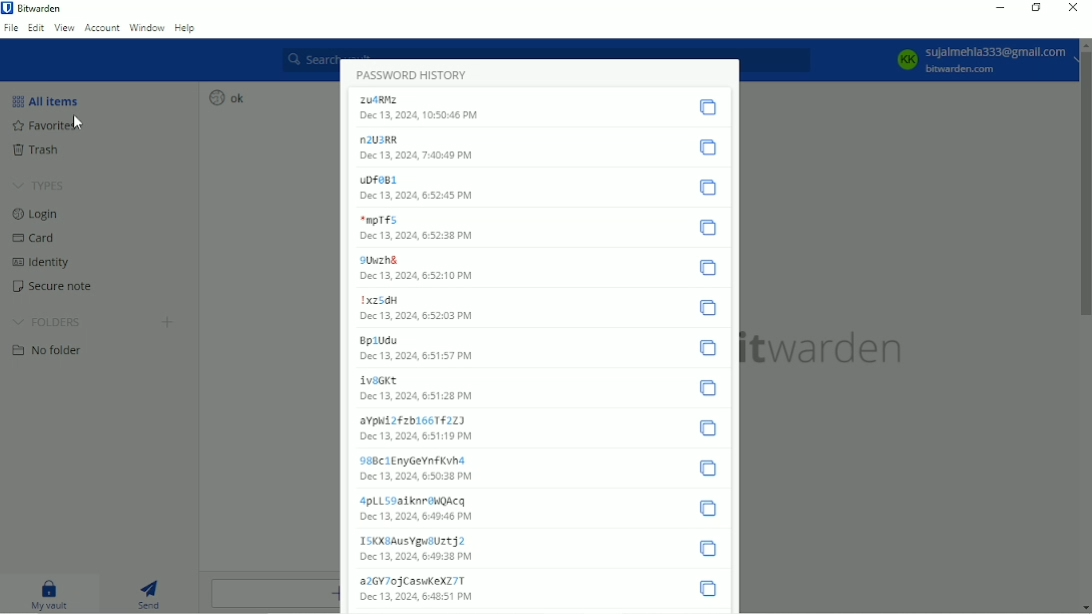 The width and height of the screenshot is (1092, 614). I want to click on Dec 13, 2024, 10:50:46 PM, so click(431, 118).